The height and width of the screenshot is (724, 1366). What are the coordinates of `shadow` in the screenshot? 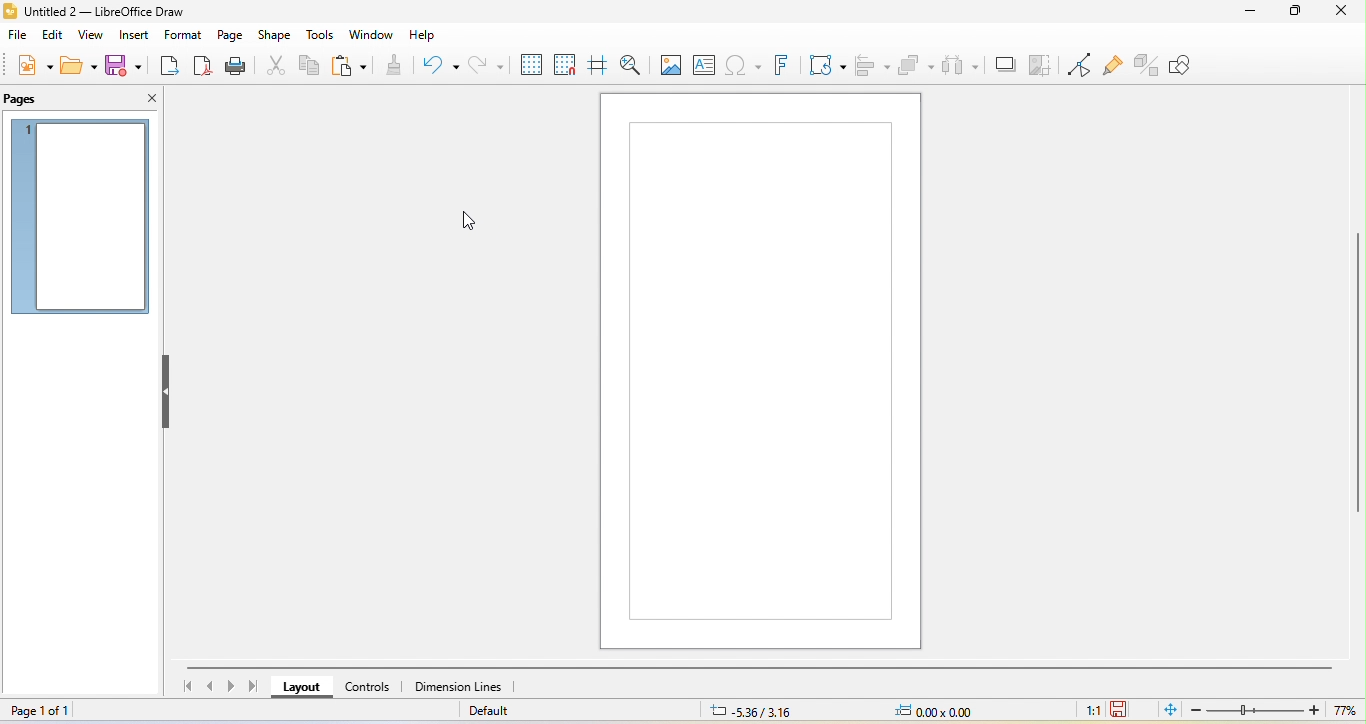 It's located at (1008, 66).